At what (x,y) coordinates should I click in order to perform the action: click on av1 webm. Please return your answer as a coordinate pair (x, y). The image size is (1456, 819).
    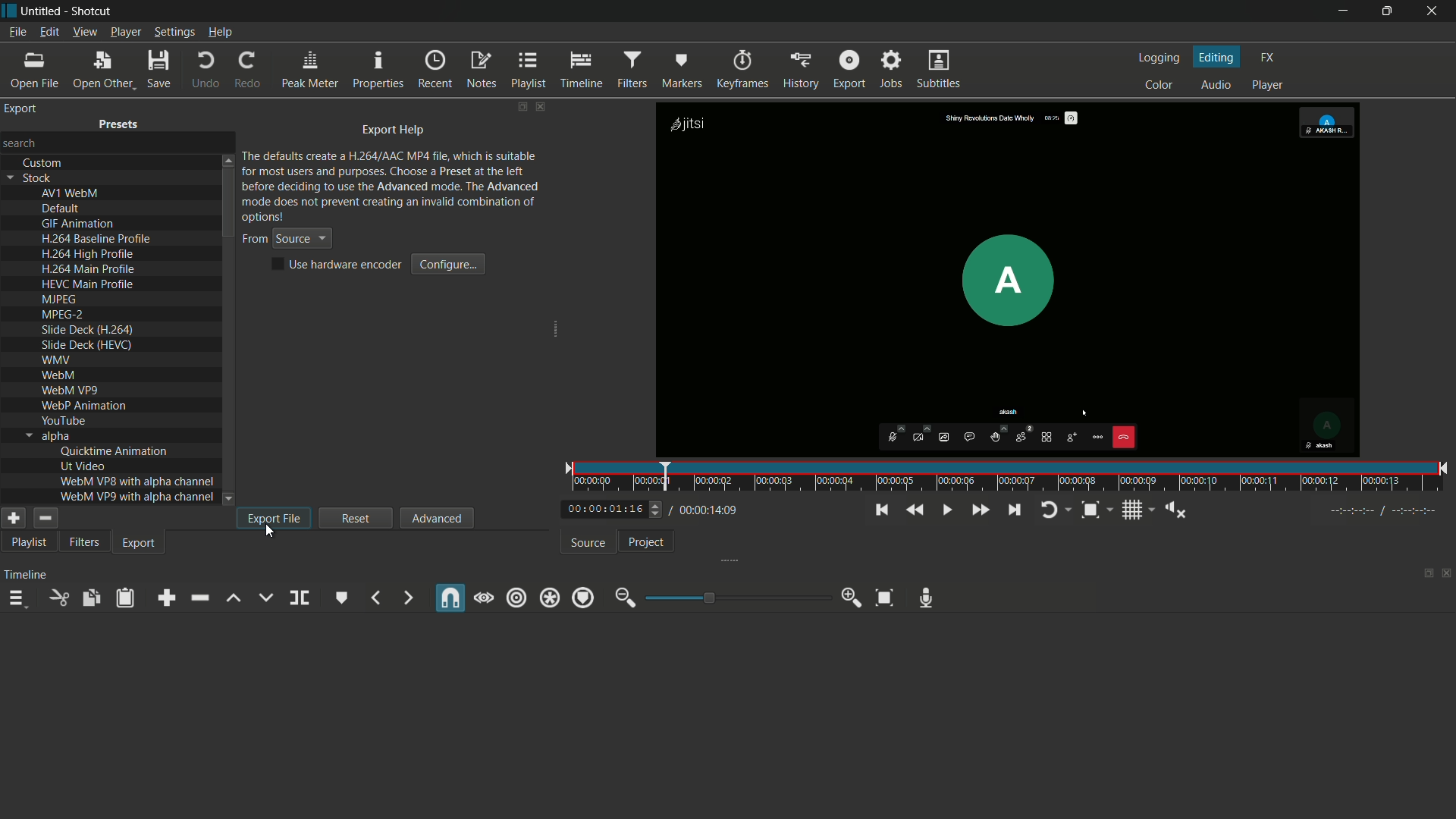
    Looking at the image, I should click on (70, 193).